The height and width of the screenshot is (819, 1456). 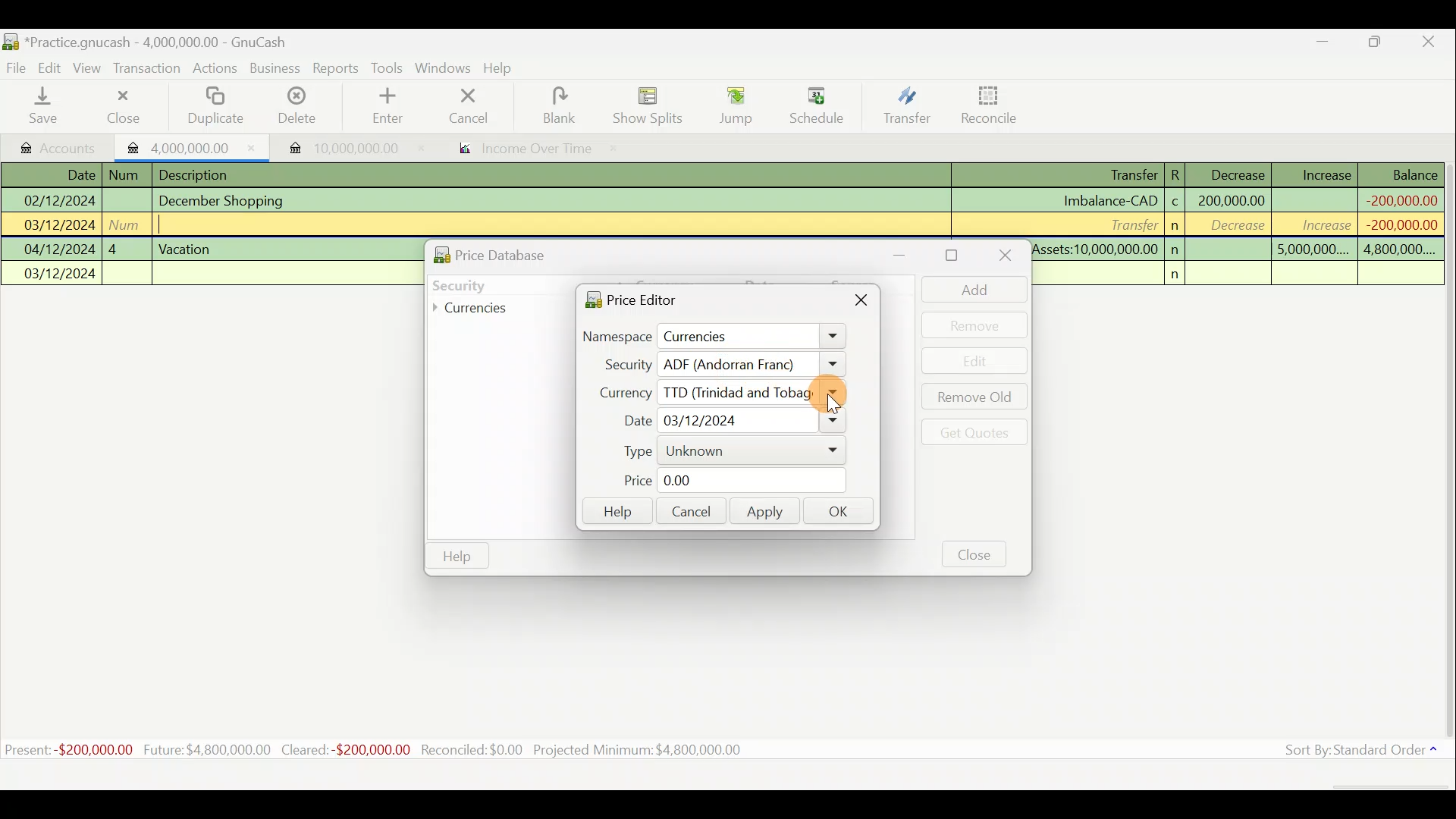 What do you see at coordinates (620, 364) in the screenshot?
I see `Security` at bounding box center [620, 364].